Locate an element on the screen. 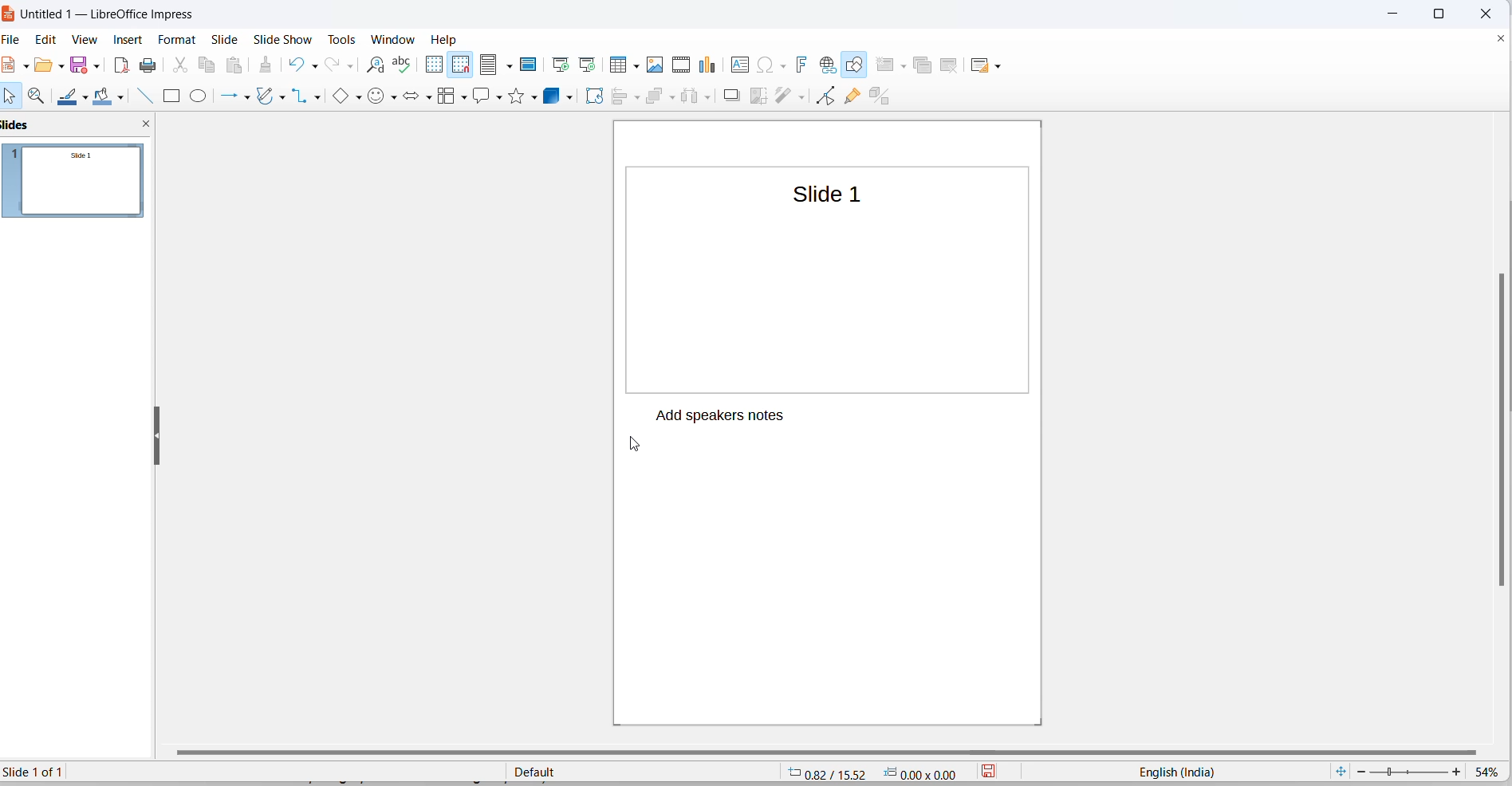 Image resolution: width=1512 pixels, height=786 pixels. save is located at coordinates (993, 772).